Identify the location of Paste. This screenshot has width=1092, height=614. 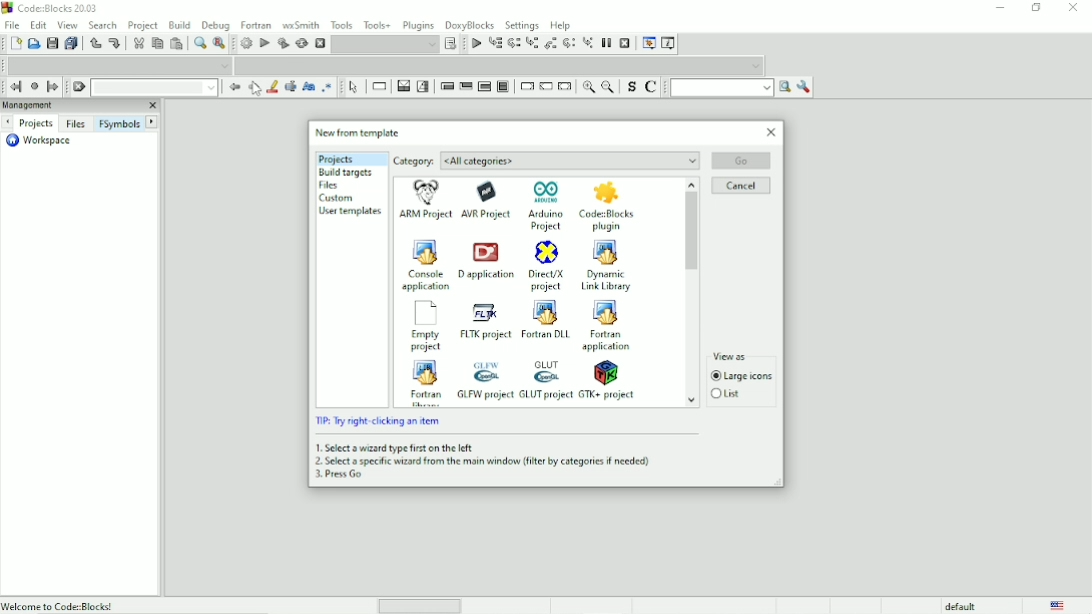
(177, 44).